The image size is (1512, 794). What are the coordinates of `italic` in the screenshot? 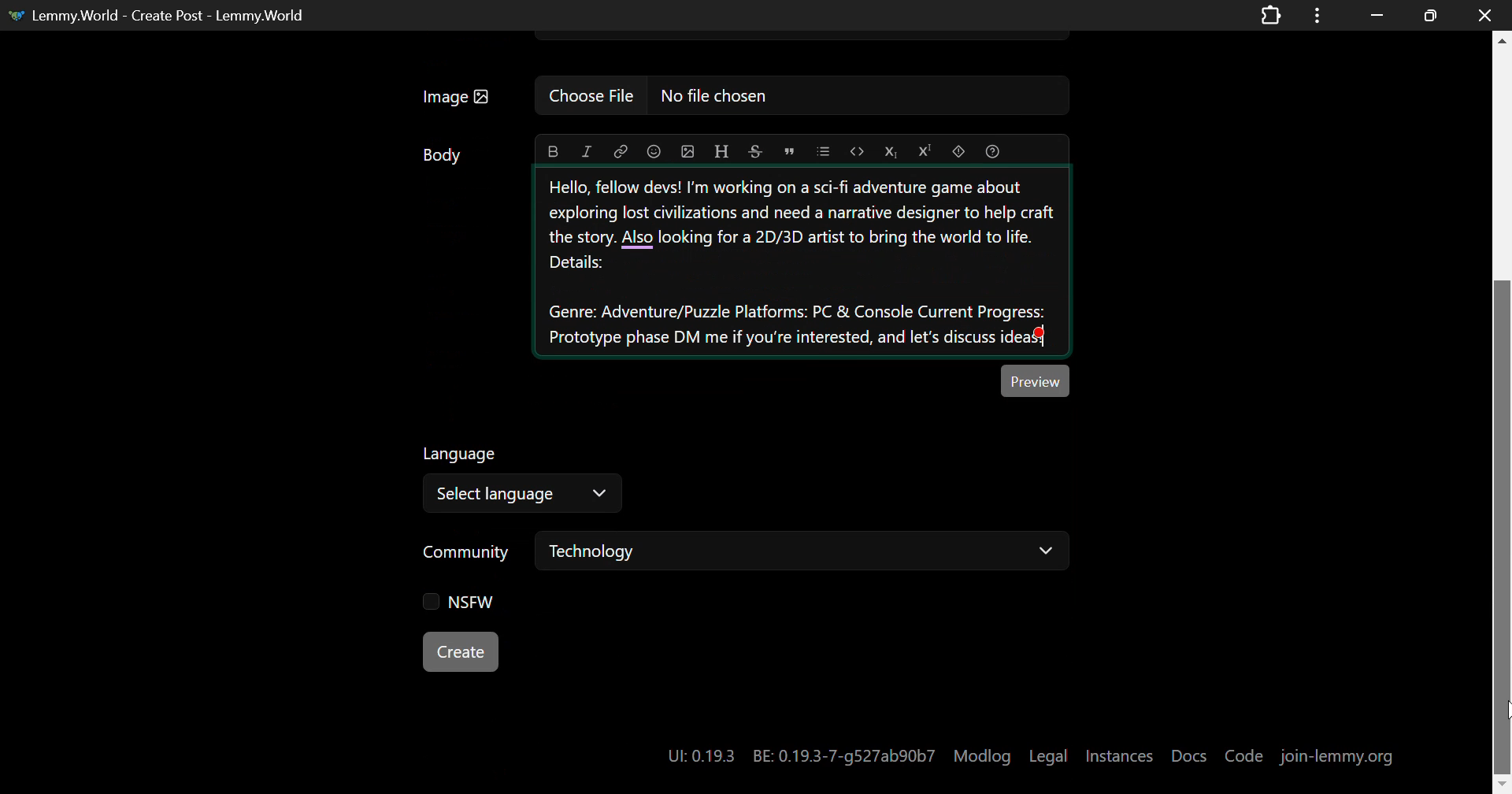 It's located at (589, 150).